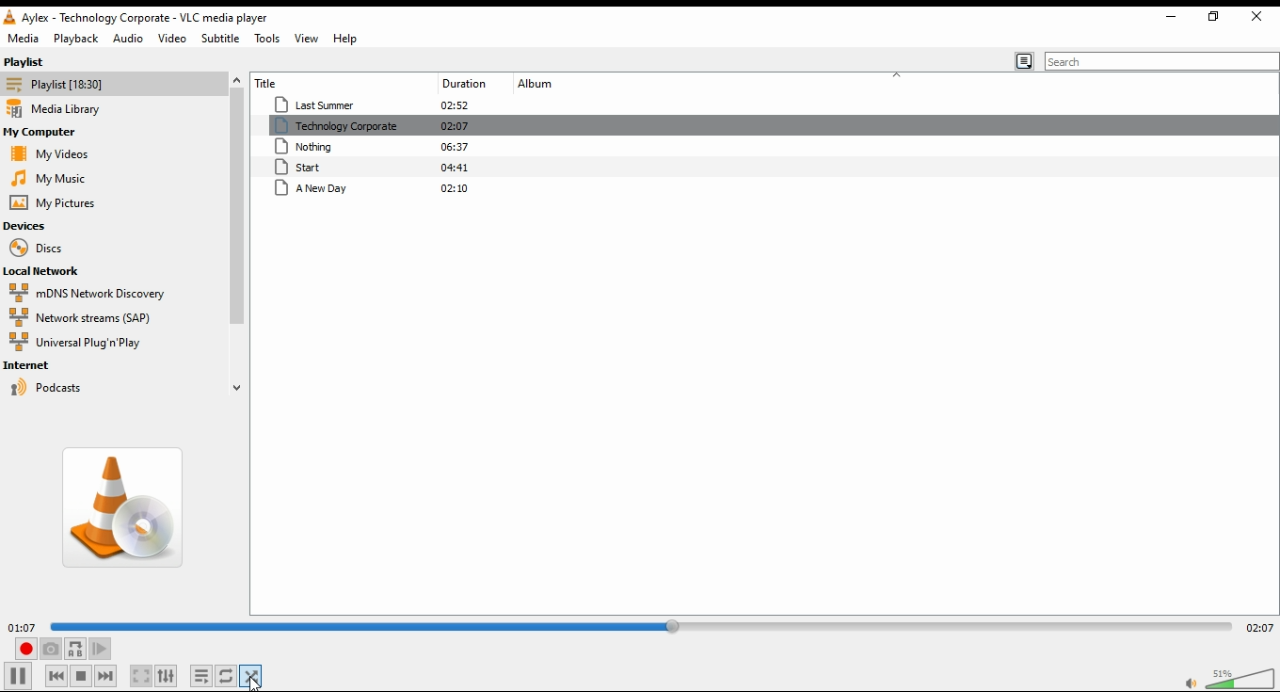 Image resolution: width=1280 pixels, height=692 pixels. I want to click on tools, so click(267, 39).